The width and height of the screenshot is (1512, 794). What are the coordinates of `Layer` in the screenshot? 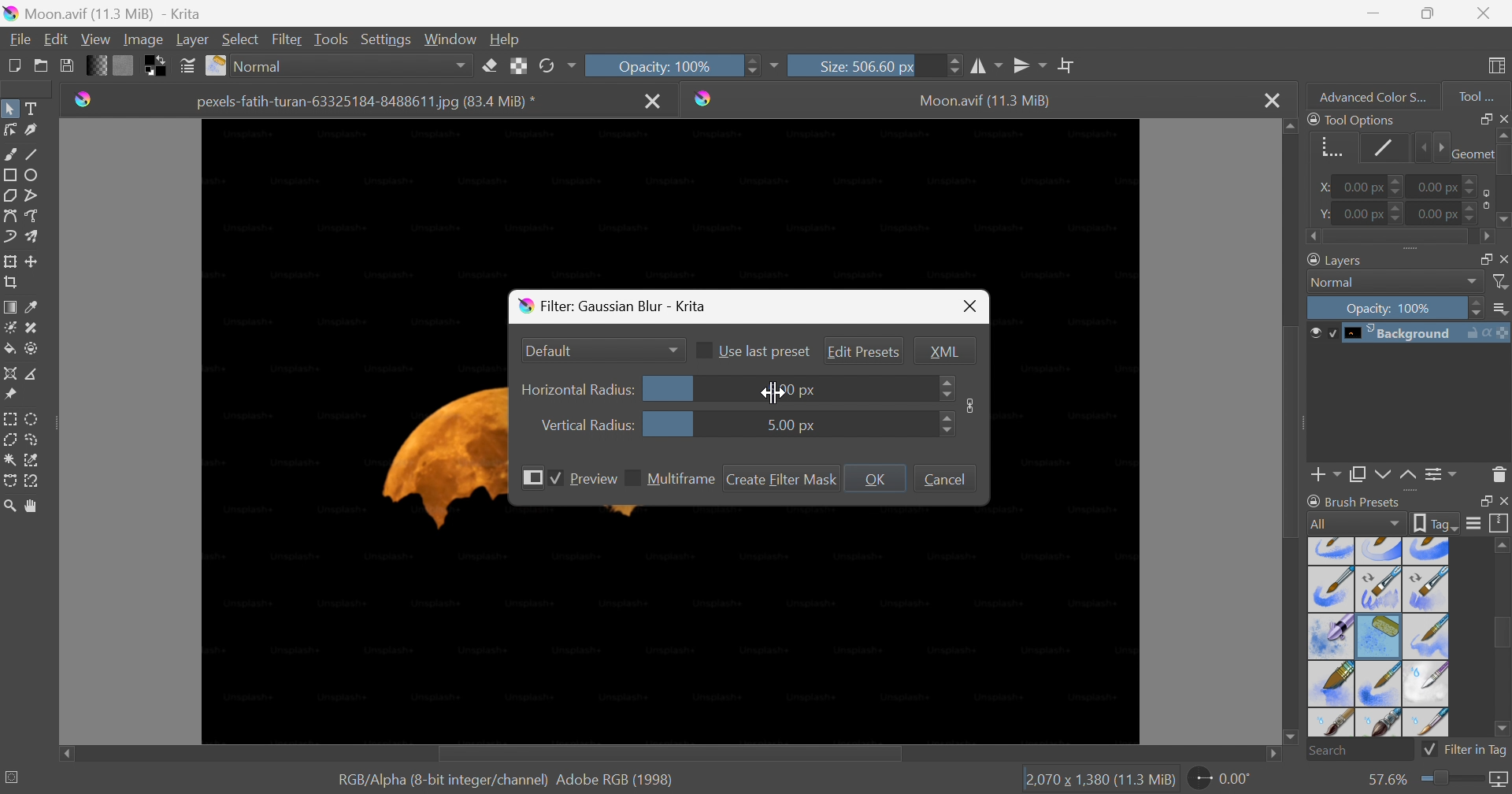 It's located at (192, 41).